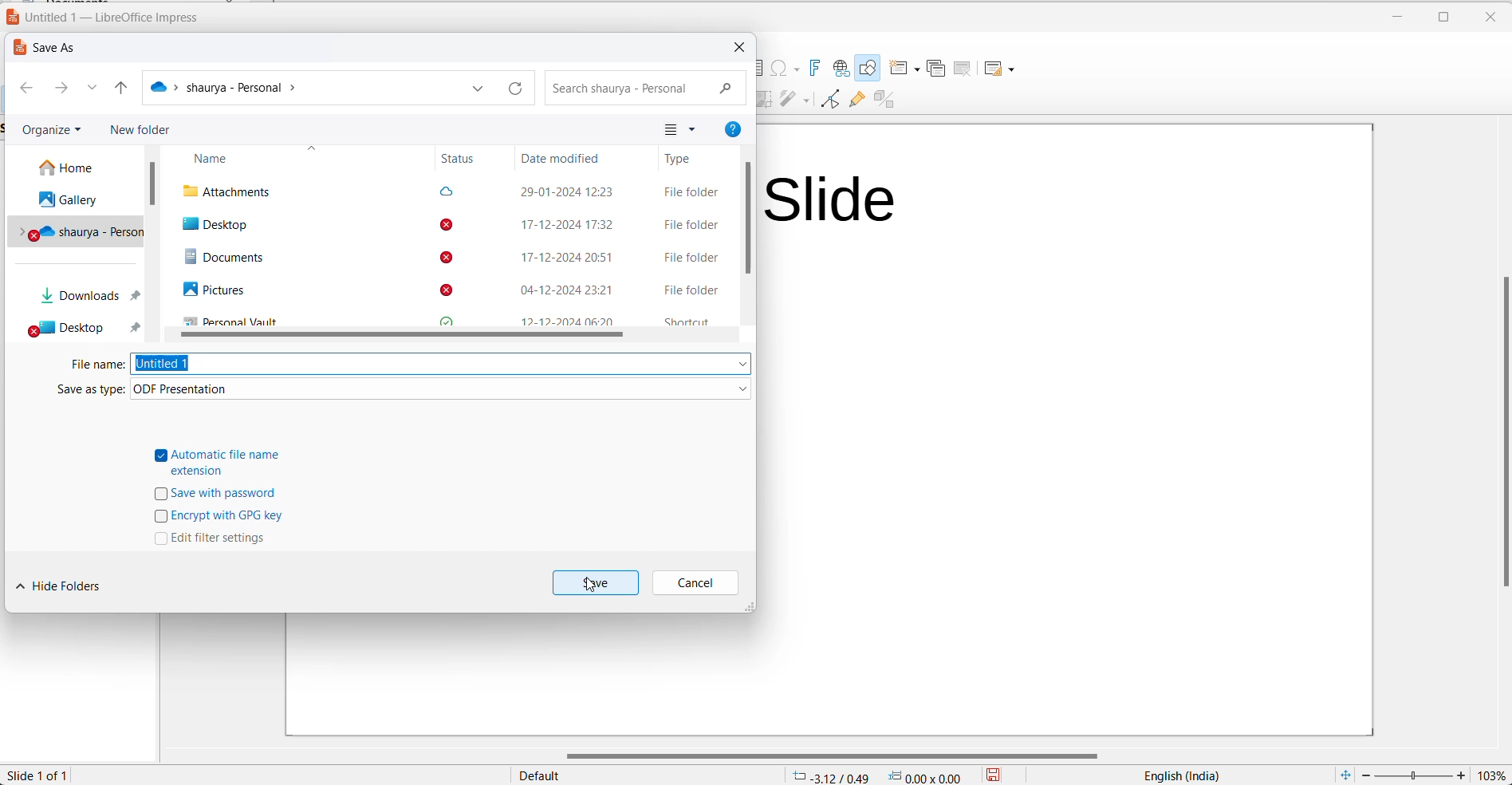  I want to click on save as heading, so click(50, 48).